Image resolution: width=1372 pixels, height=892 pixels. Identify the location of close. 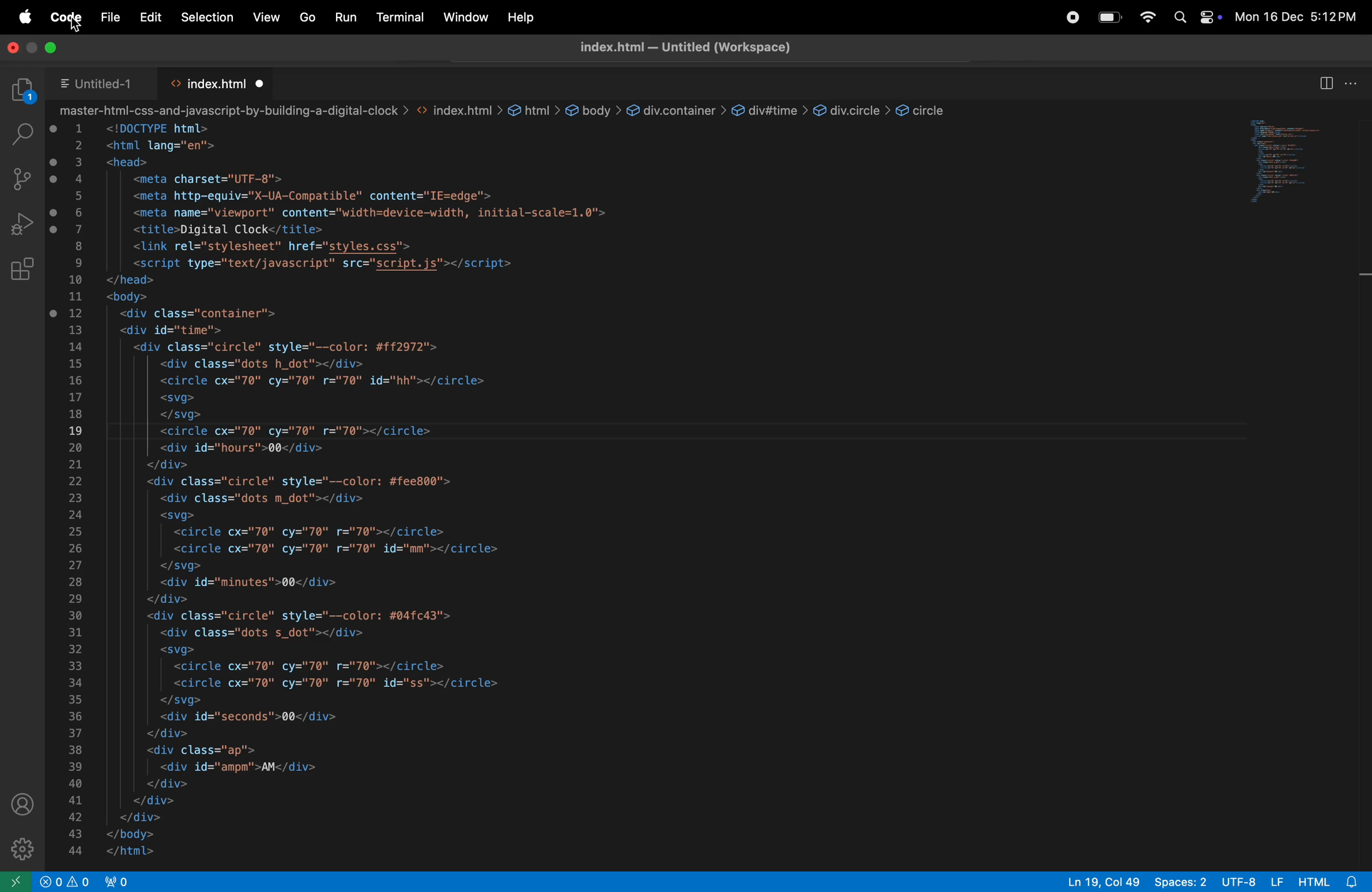
(10, 49).